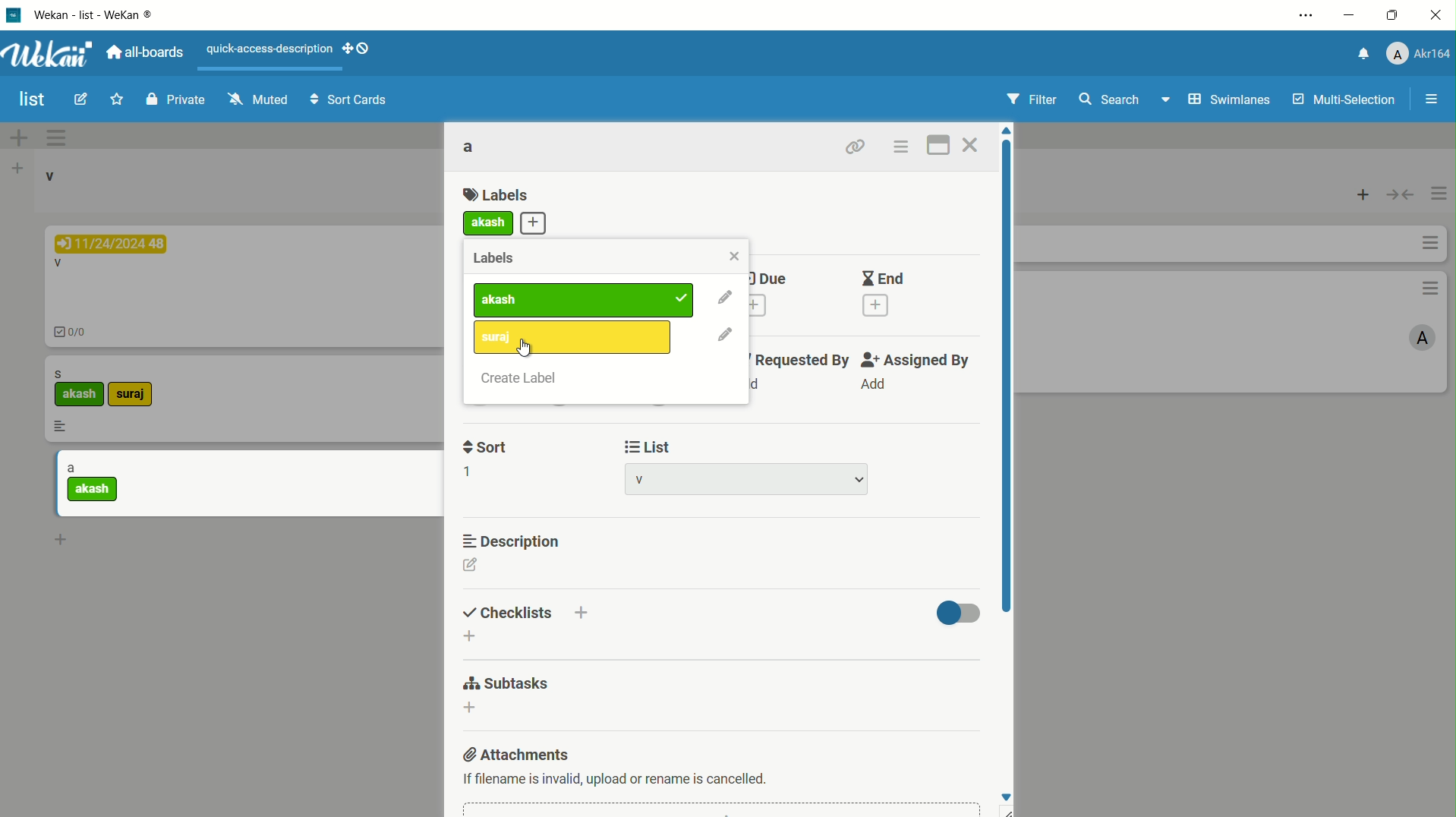 The height and width of the screenshot is (817, 1456). What do you see at coordinates (116, 99) in the screenshot?
I see `star` at bounding box center [116, 99].